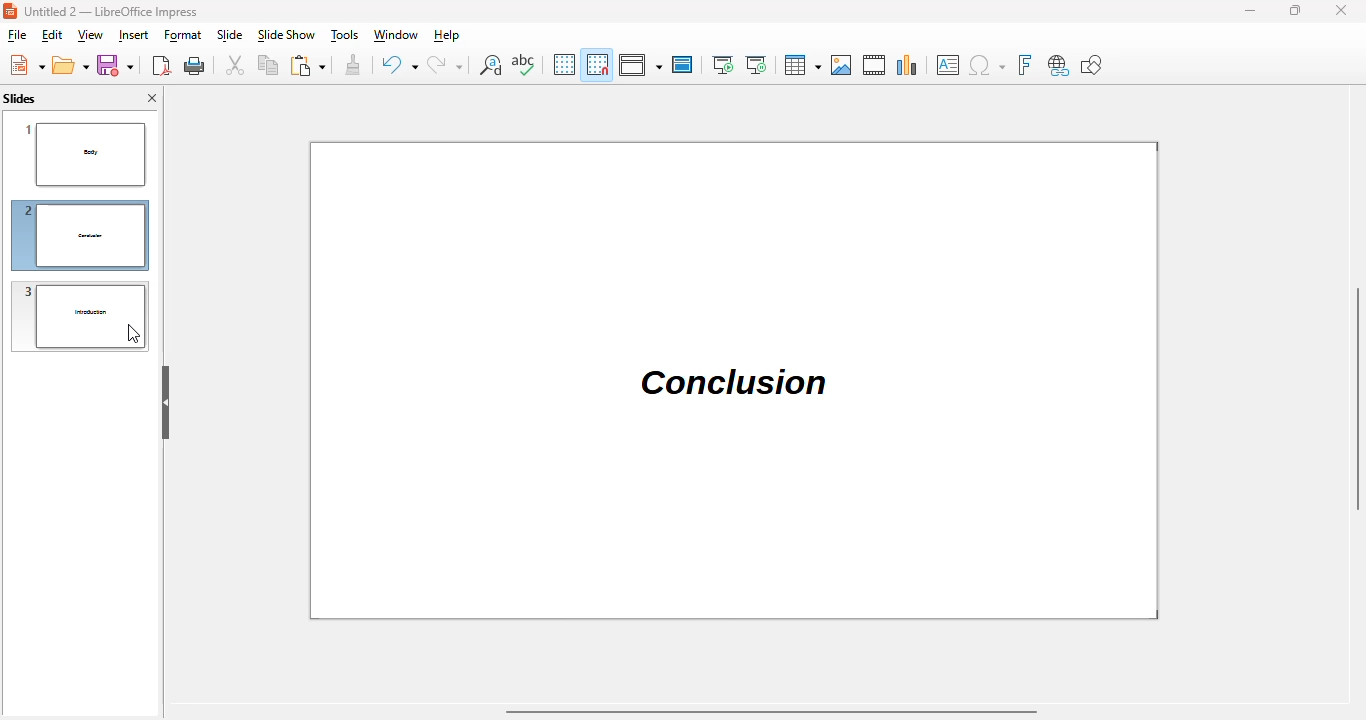  I want to click on new, so click(27, 64).